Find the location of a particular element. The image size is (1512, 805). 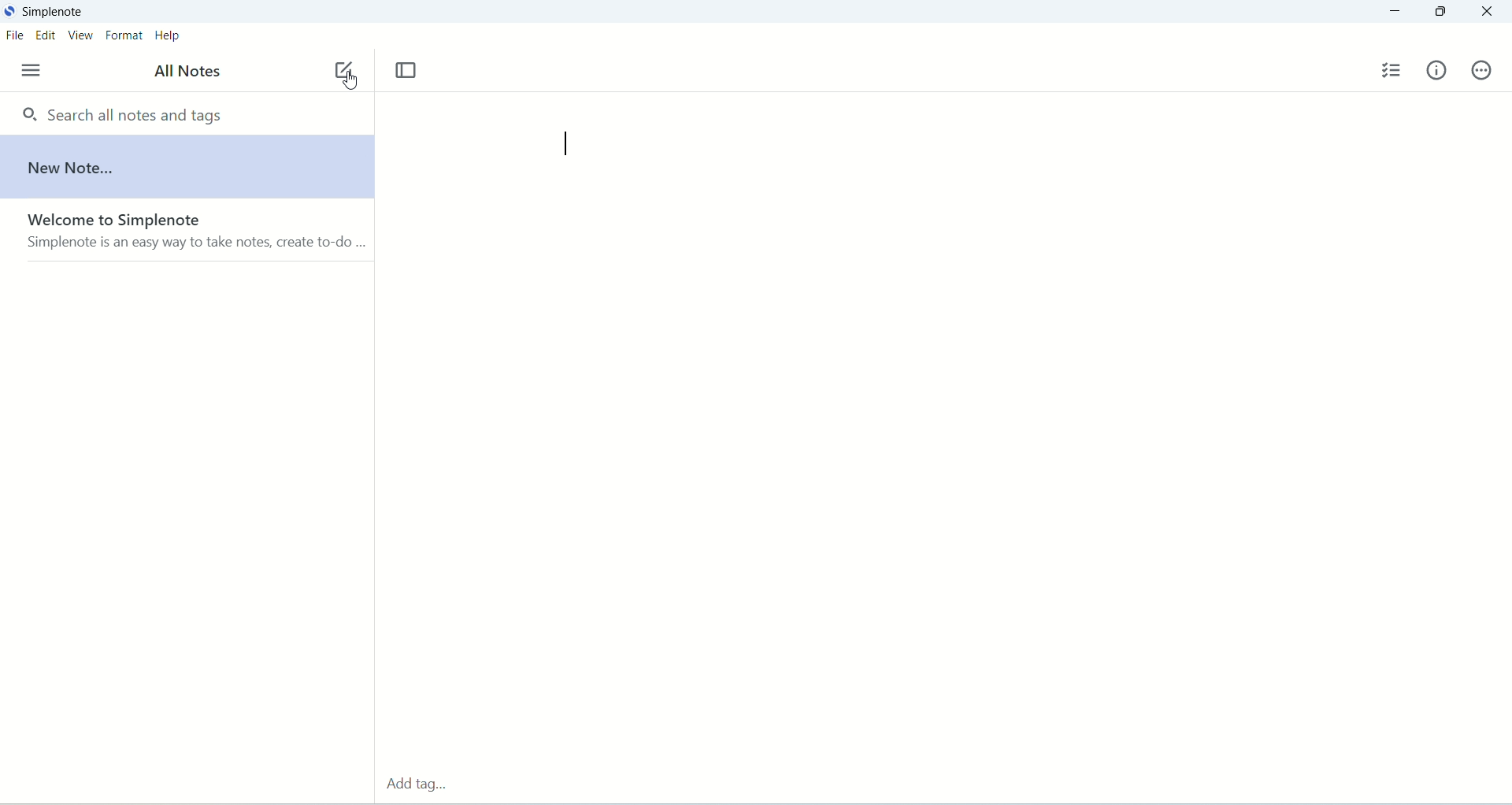

menu is located at coordinates (27, 70).